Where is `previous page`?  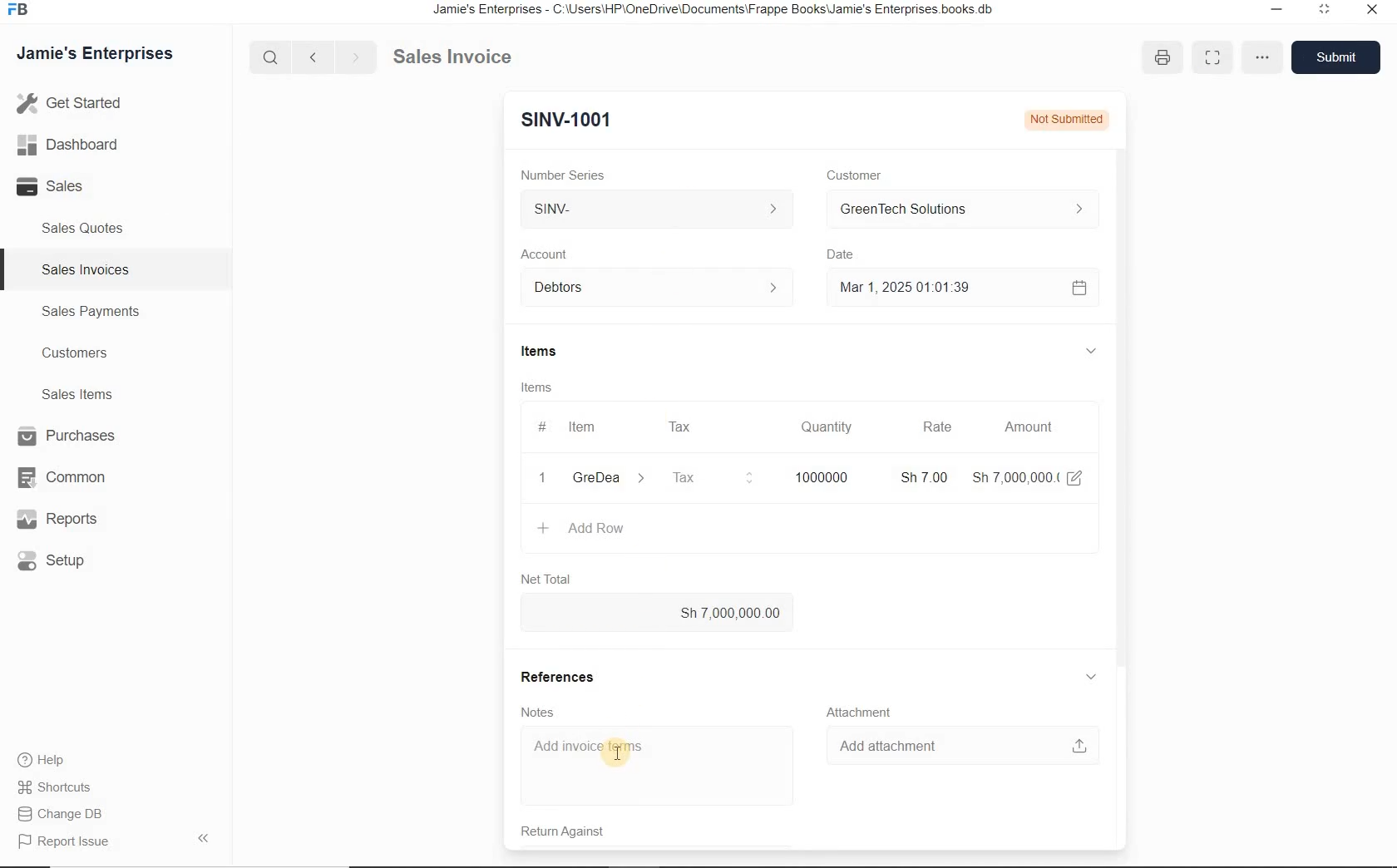 previous page is located at coordinates (312, 57).